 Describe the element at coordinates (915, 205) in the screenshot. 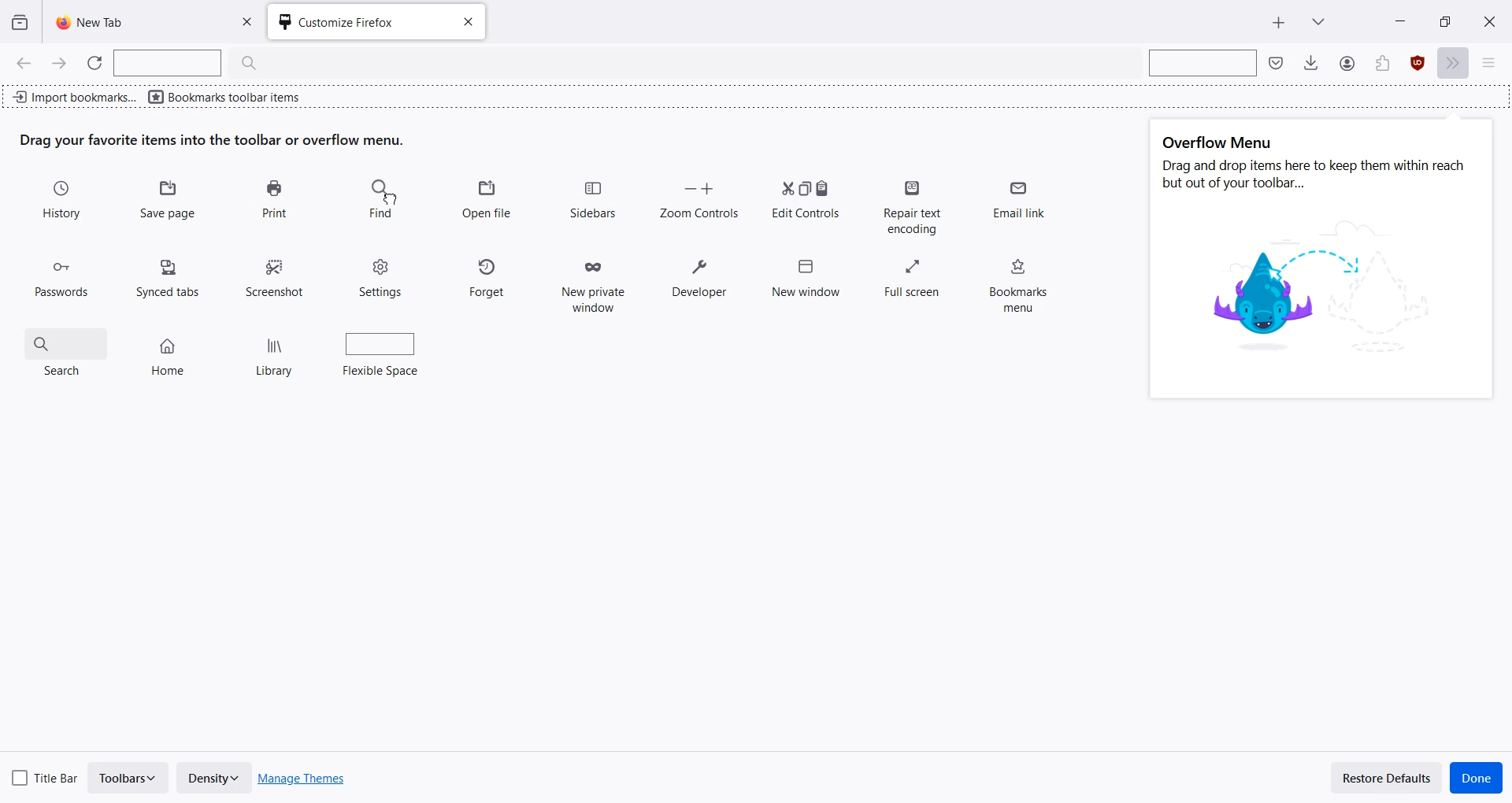

I see `Repair text encoding` at that location.